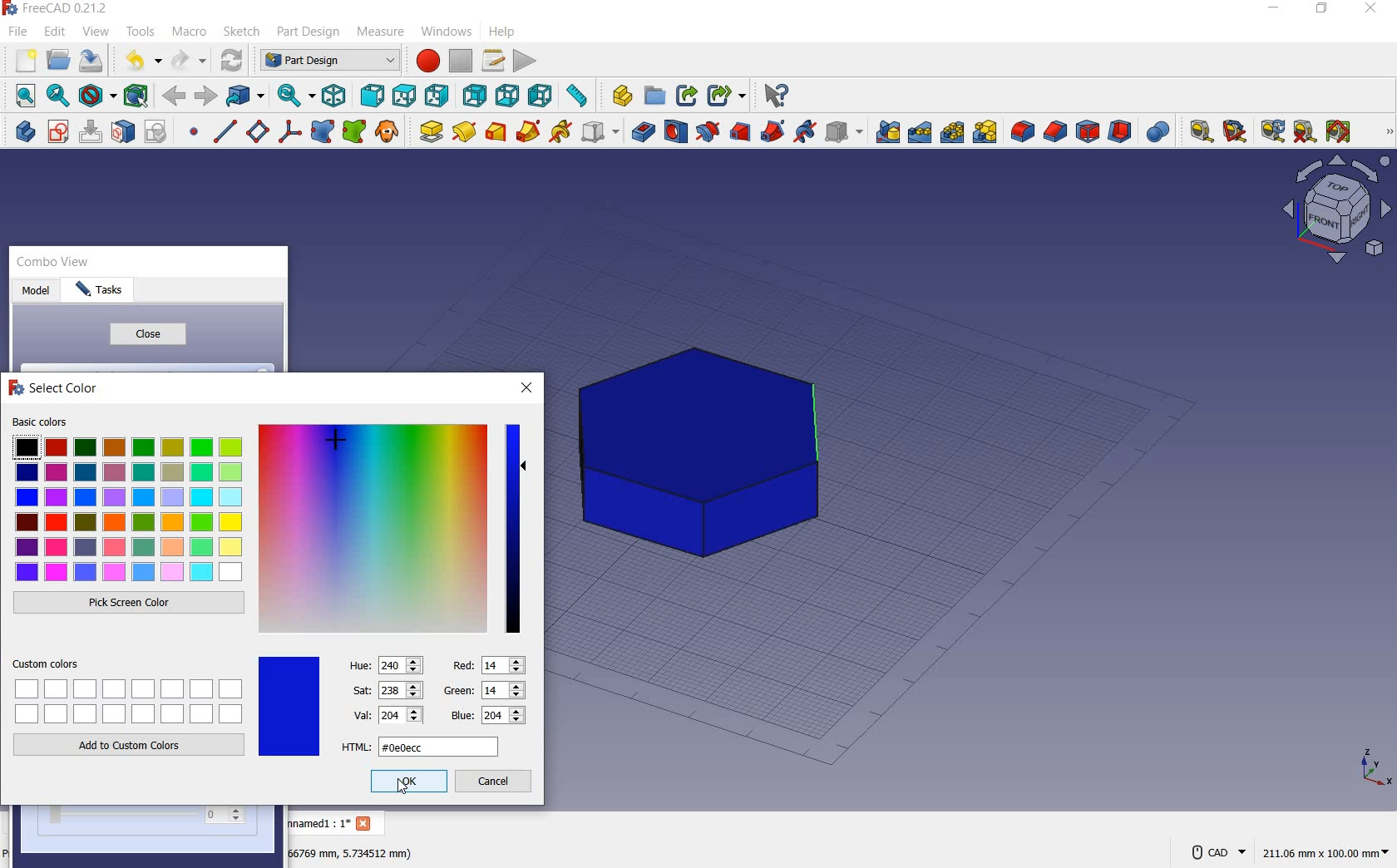 The image size is (1397, 868). Describe the element at coordinates (124, 132) in the screenshot. I see `map sketch to face` at that location.